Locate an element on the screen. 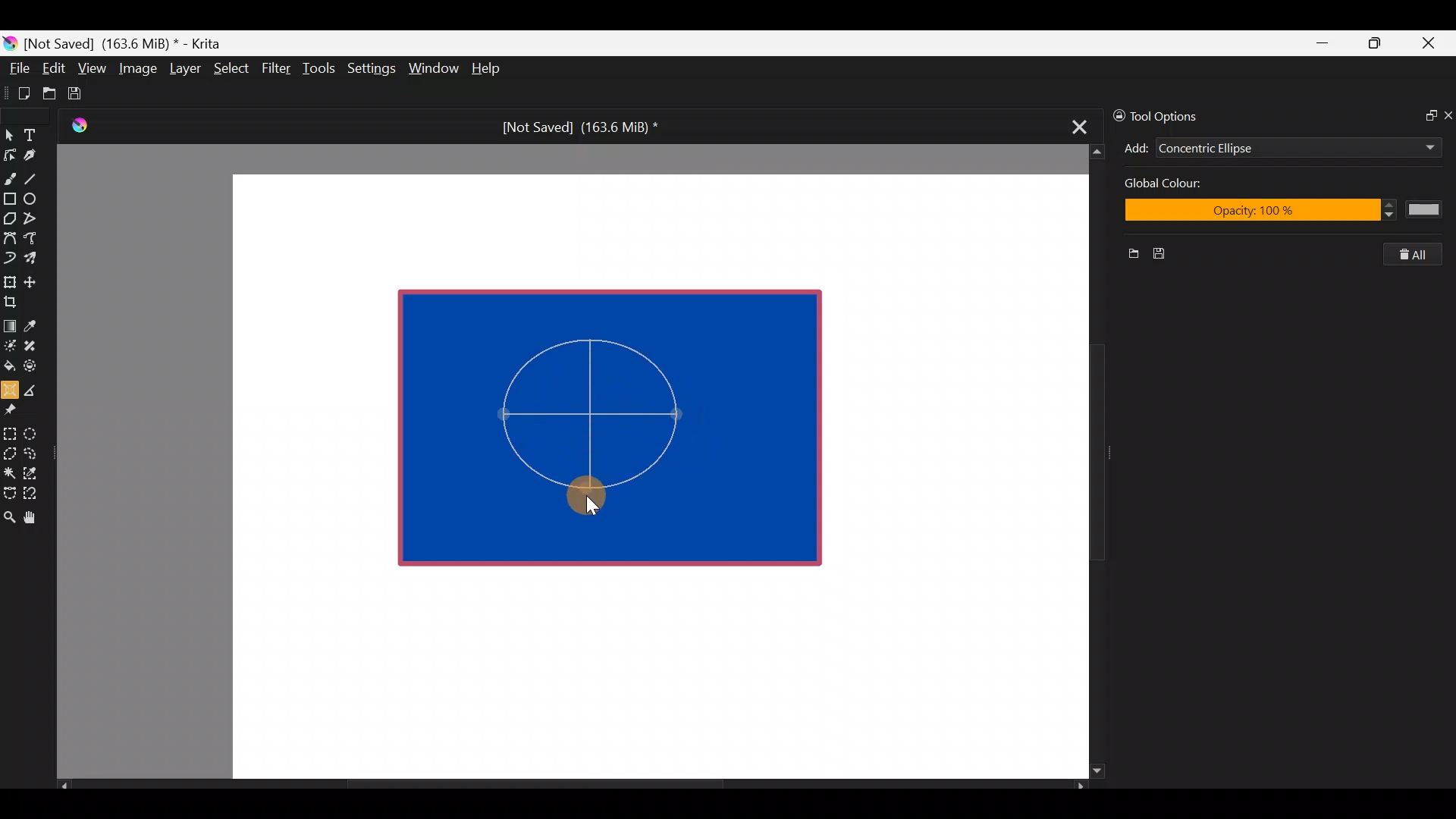  Close tab is located at coordinates (1075, 124).